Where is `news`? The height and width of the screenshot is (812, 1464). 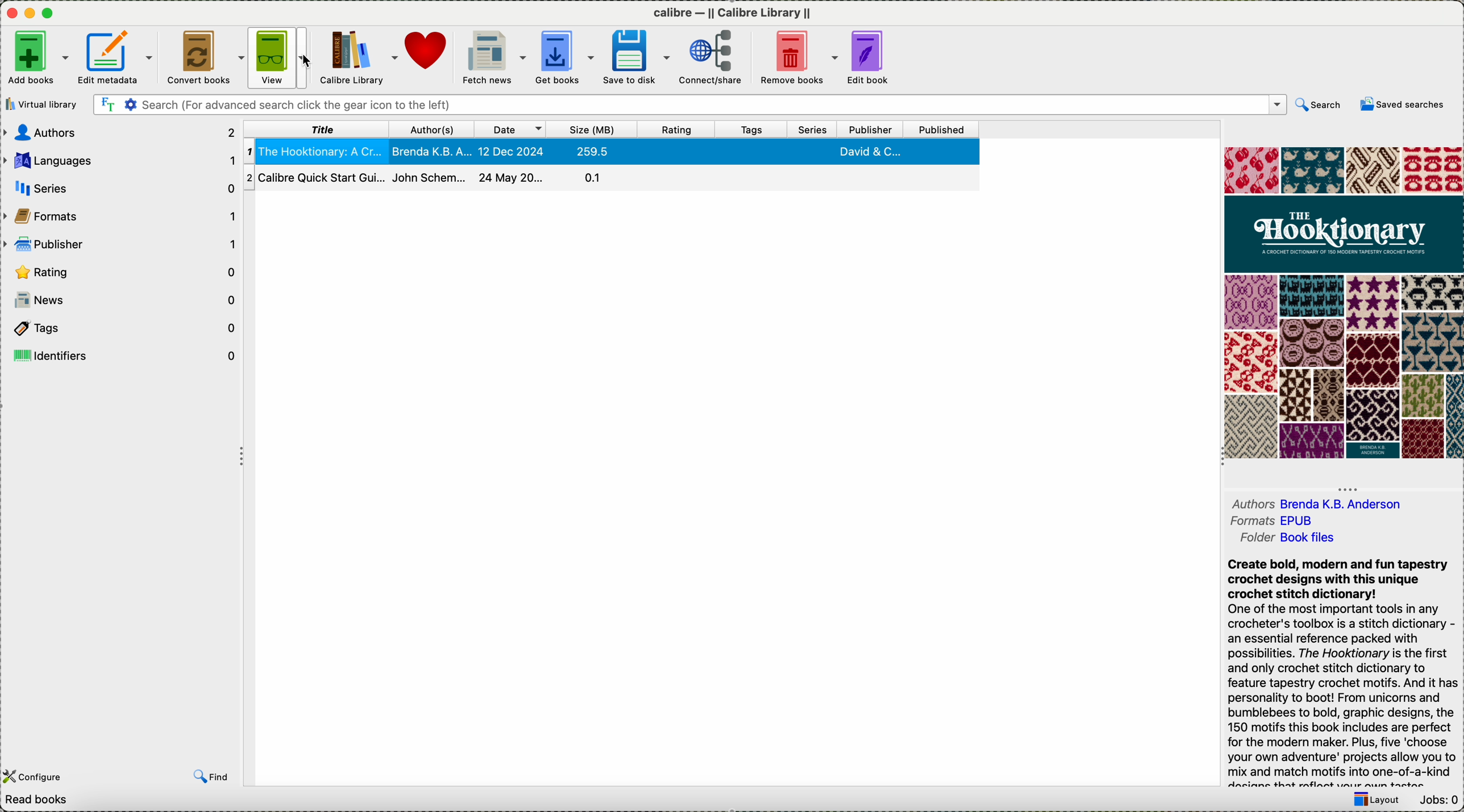
news is located at coordinates (122, 299).